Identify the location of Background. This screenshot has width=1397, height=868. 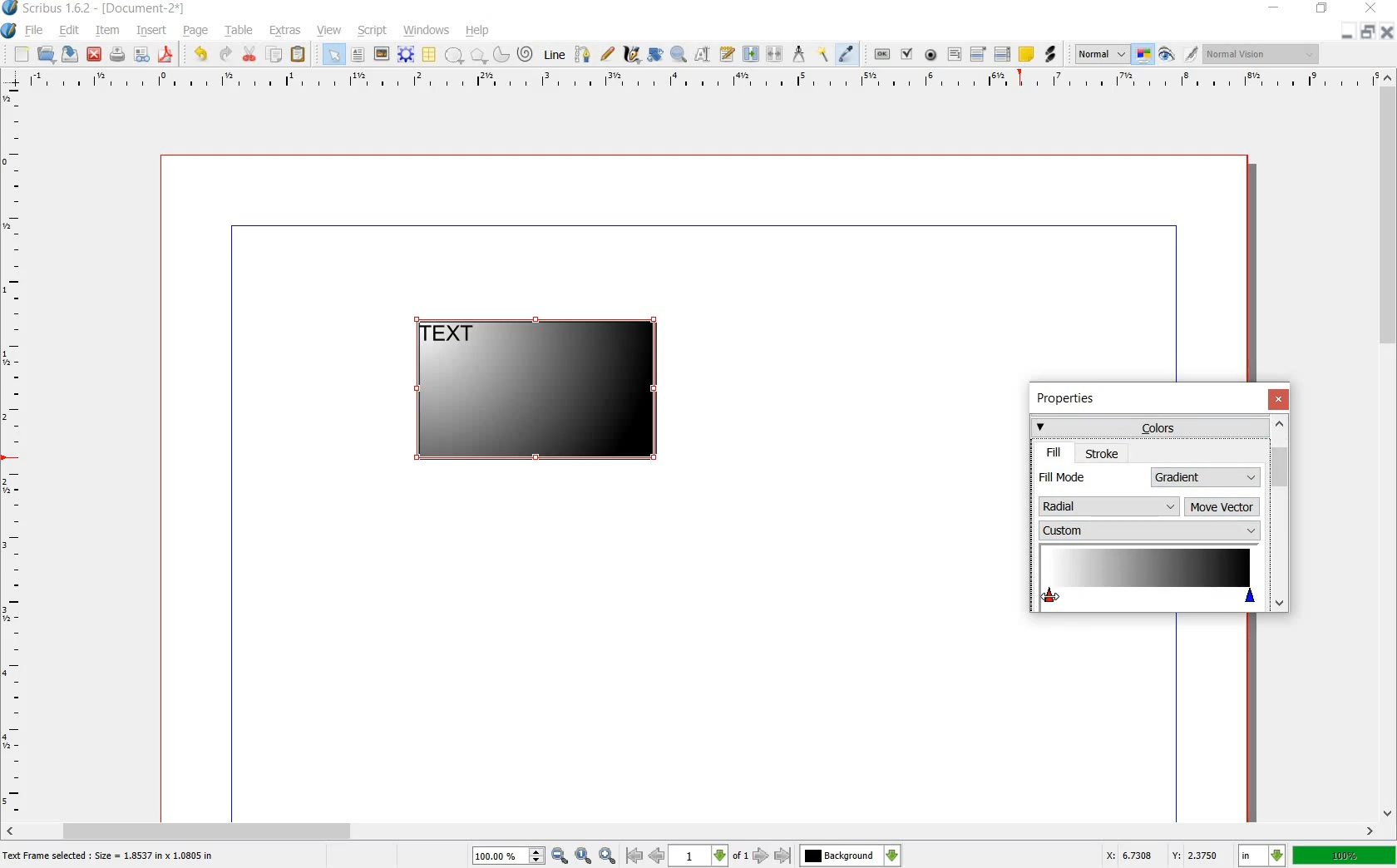
(851, 856).